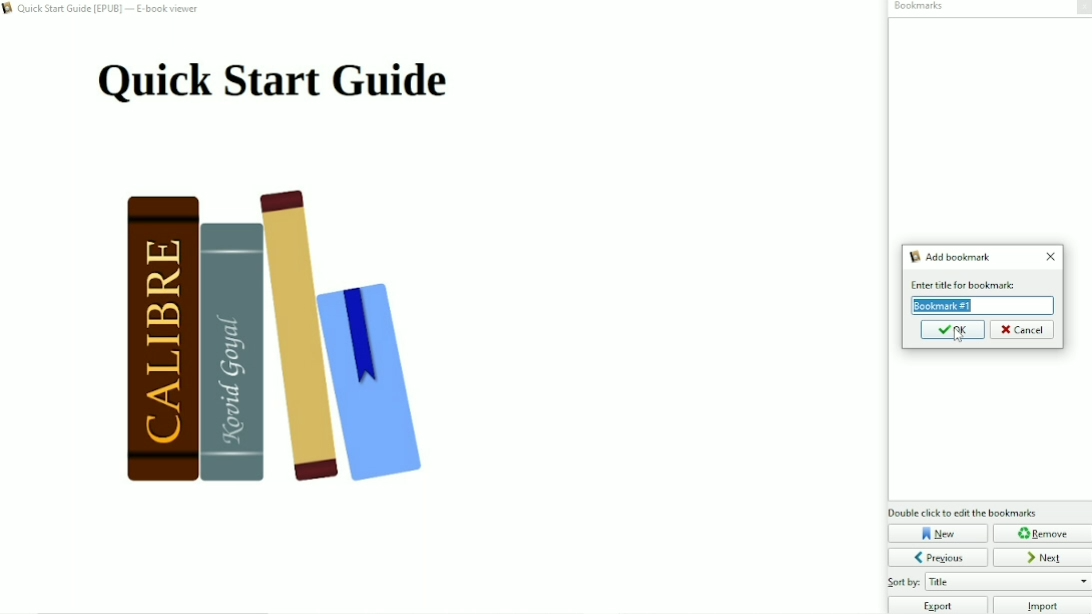 This screenshot has height=614, width=1092. I want to click on Previous, so click(938, 557).